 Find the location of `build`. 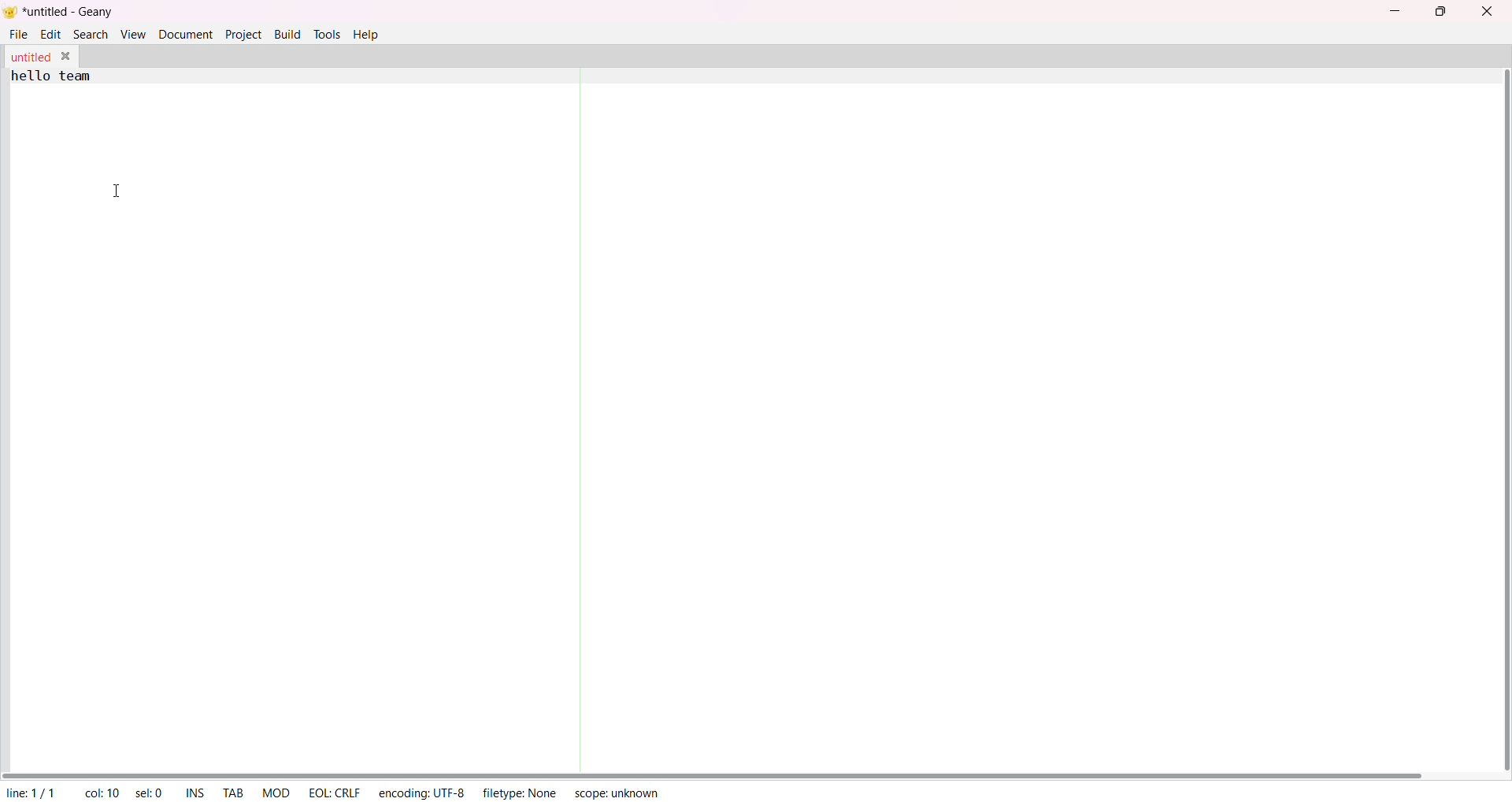

build is located at coordinates (285, 34).